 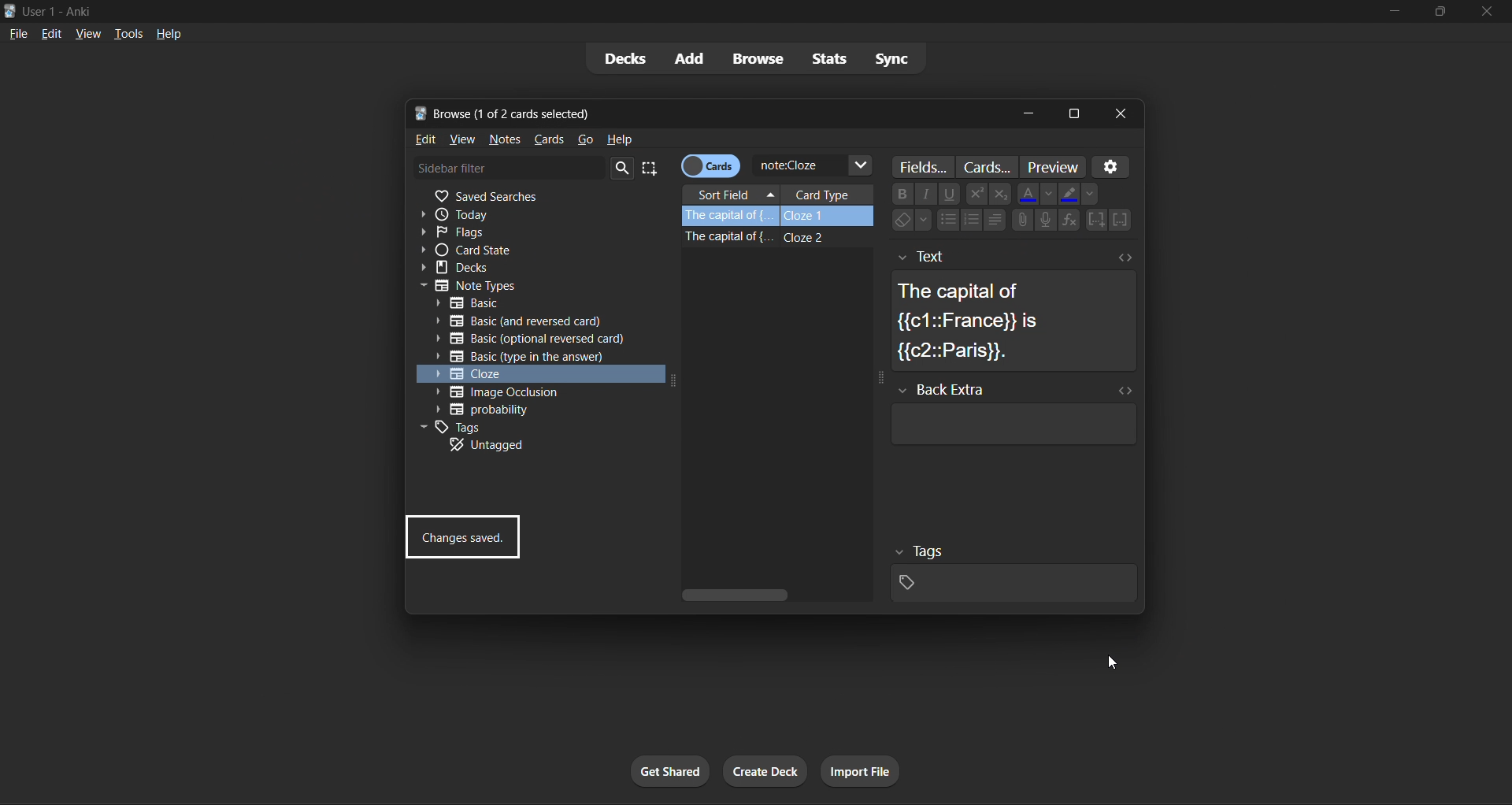 What do you see at coordinates (89, 32) in the screenshot?
I see `view` at bounding box center [89, 32].